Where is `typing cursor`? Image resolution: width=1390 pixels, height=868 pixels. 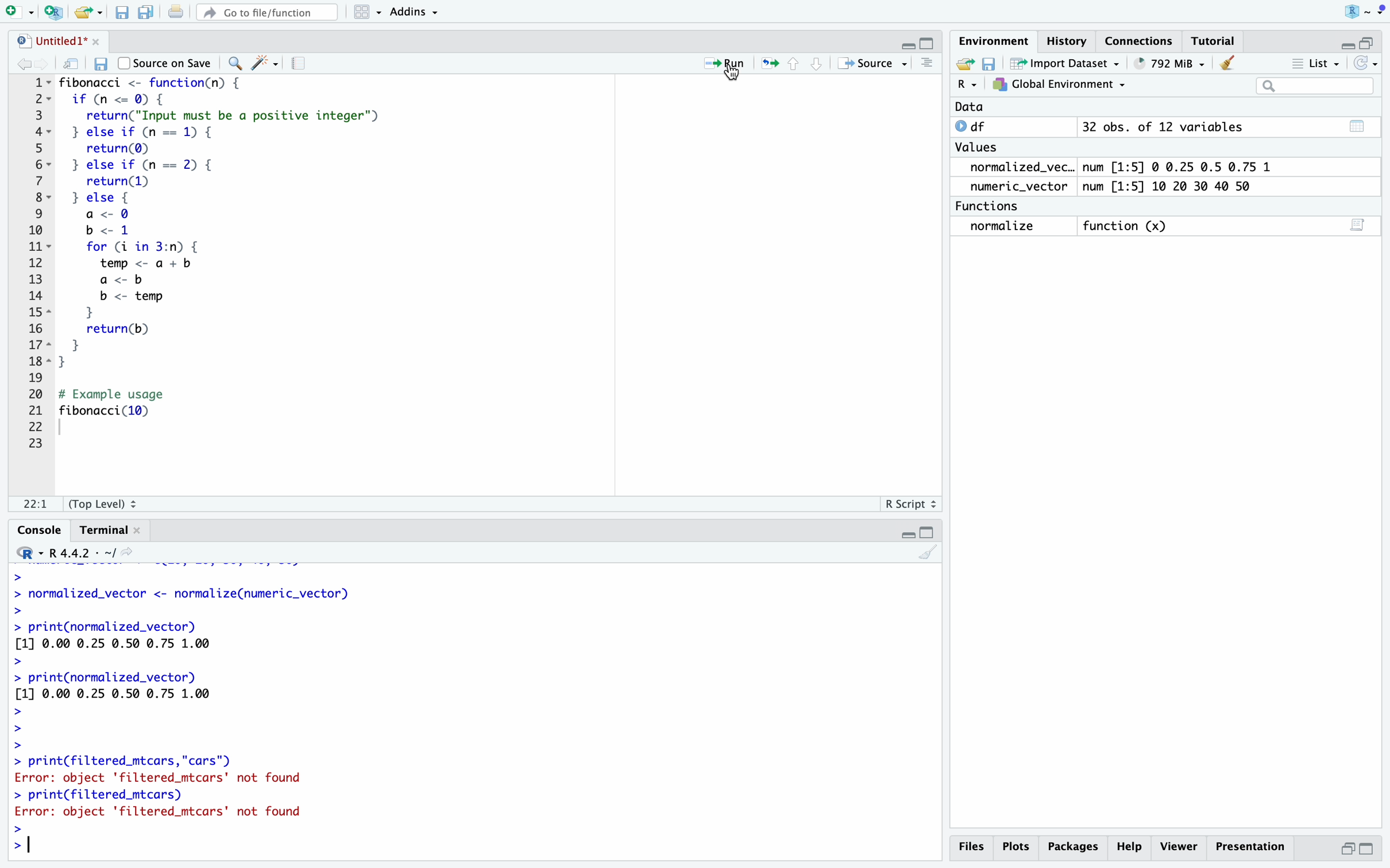 typing cursor is located at coordinates (44, 848).